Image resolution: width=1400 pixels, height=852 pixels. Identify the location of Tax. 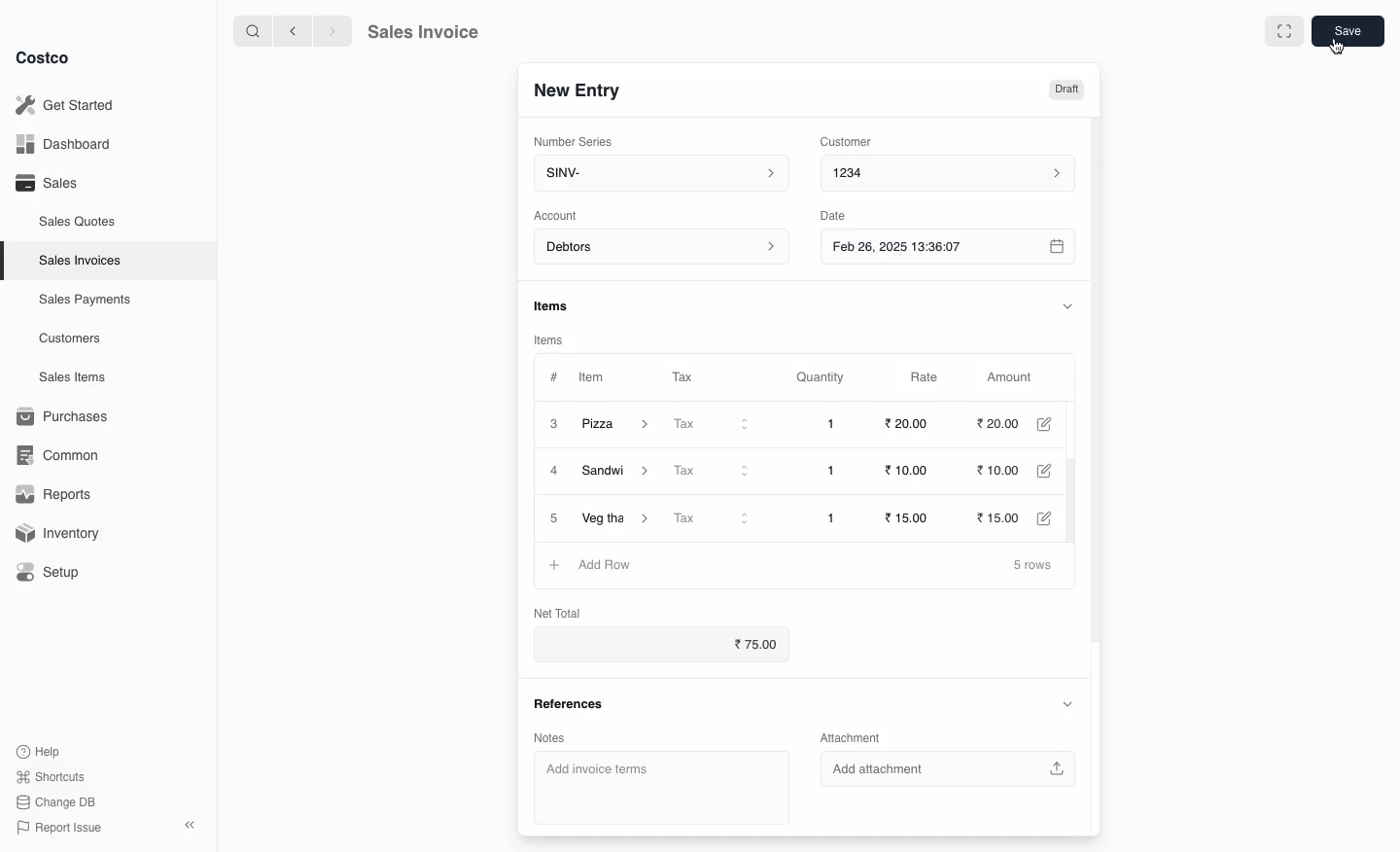
(713, 470).